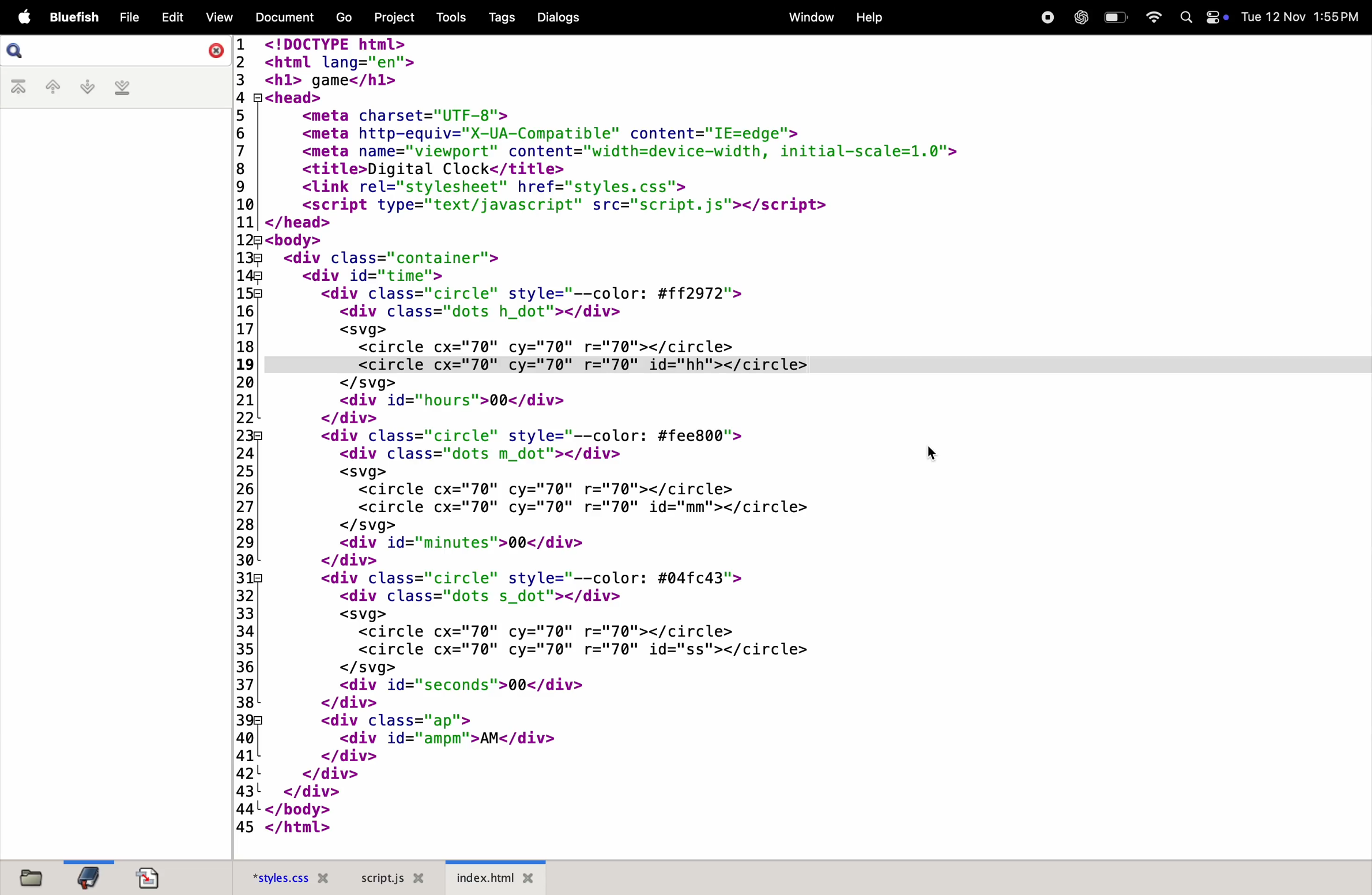  What do you see at coordinates (648, 435) in the screenshot?
I see `This is an HTML code for a Digital Clock with a css and javascript file linked to it. The code consists of how the clock would display the hours, minutes and seconds ` at bounding box center [648, 435].